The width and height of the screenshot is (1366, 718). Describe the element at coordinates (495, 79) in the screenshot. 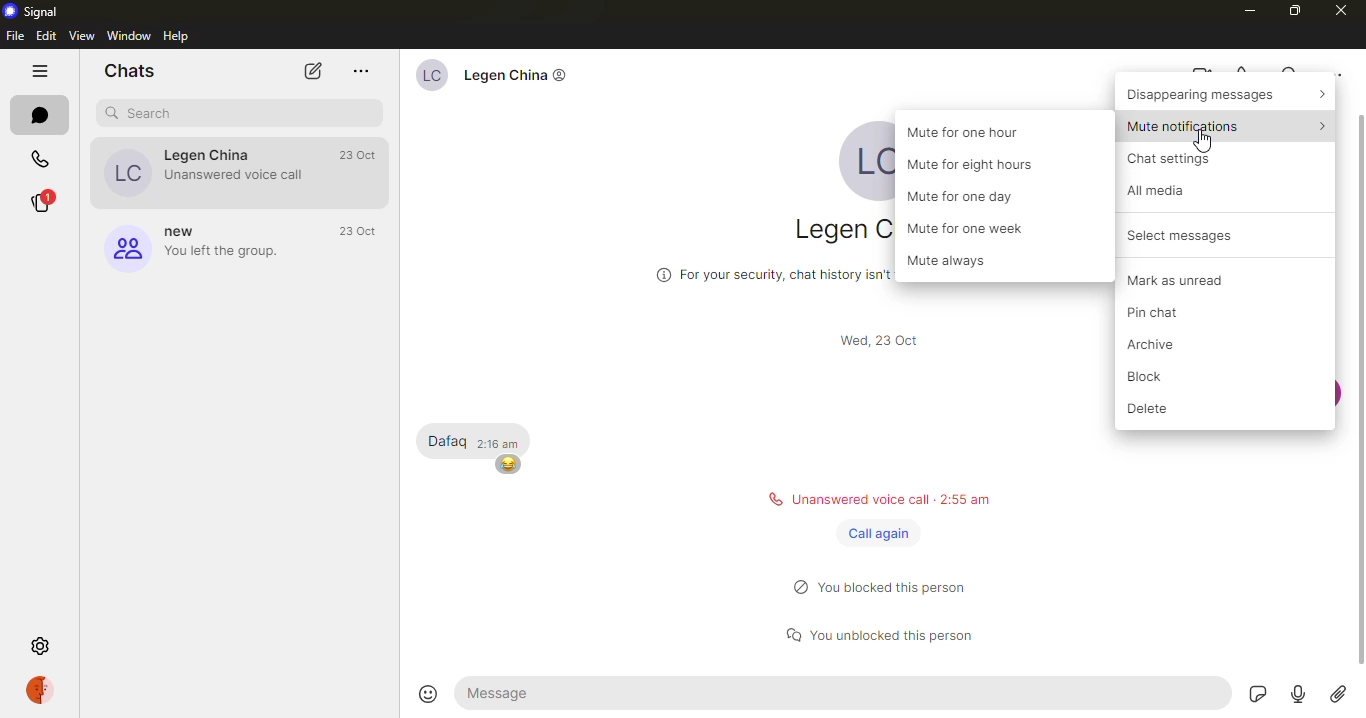

I see `contact` at that location.